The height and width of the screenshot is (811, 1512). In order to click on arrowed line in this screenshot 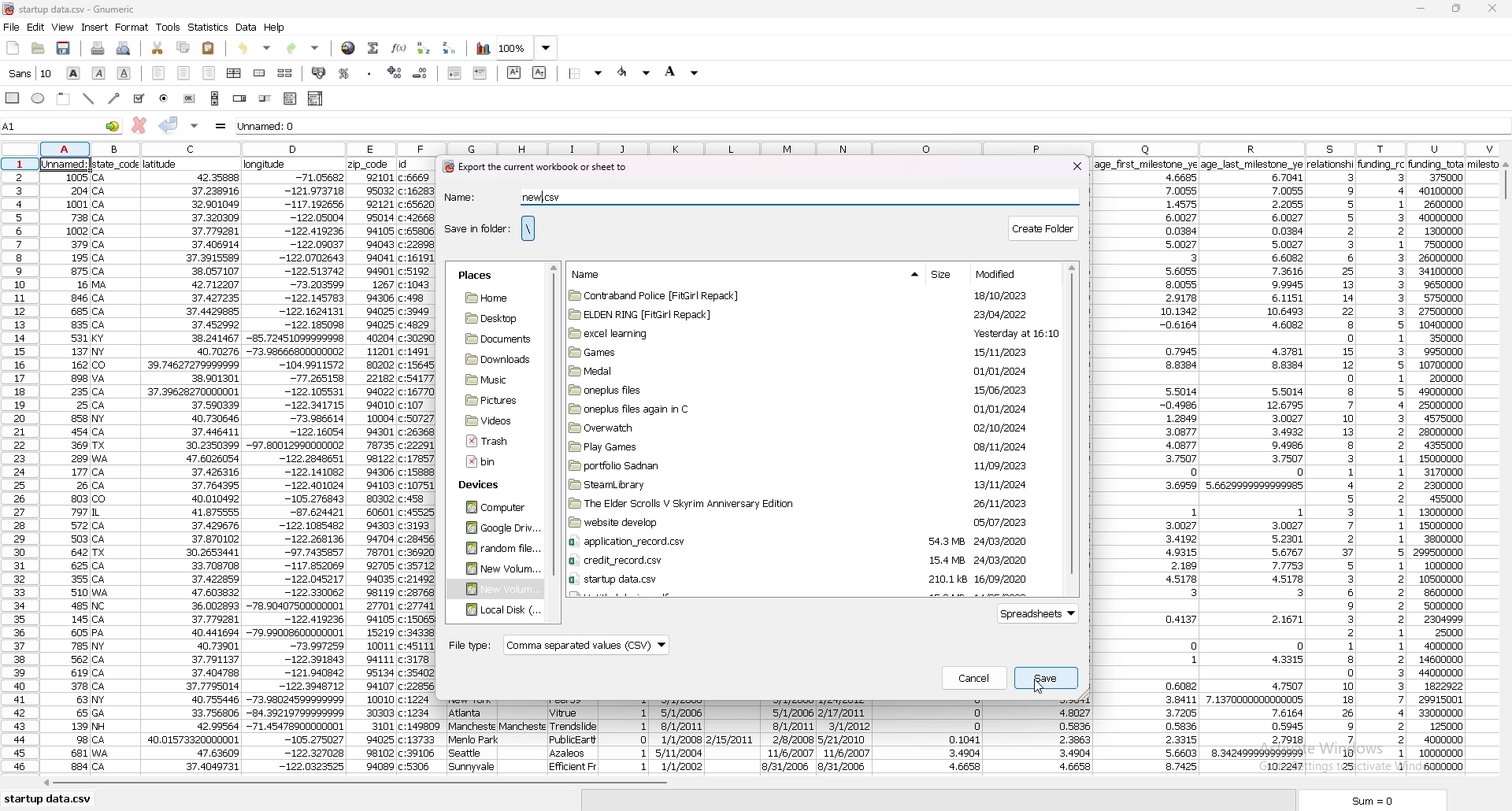, I will do `click(116, 98)`.